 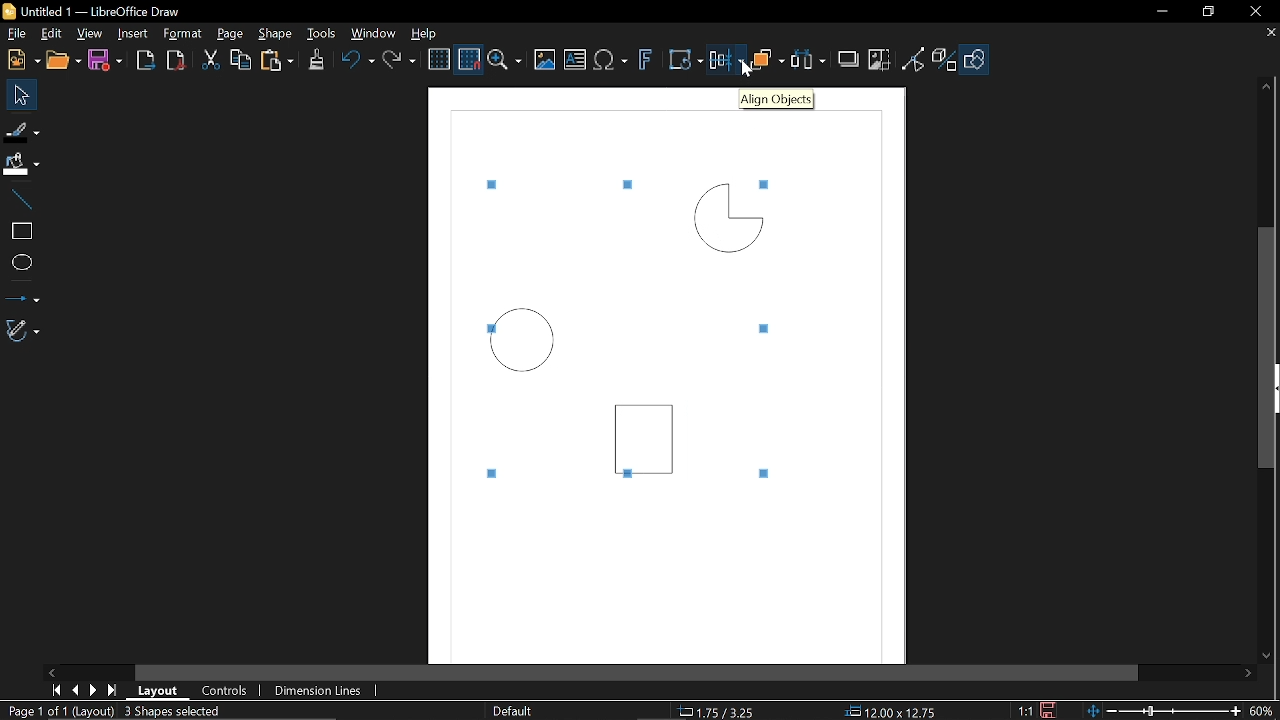 What do you see at coordinates (646, 62) in the screenshot?
I see `Insert Fontwork` at bounding box center [646, 62].